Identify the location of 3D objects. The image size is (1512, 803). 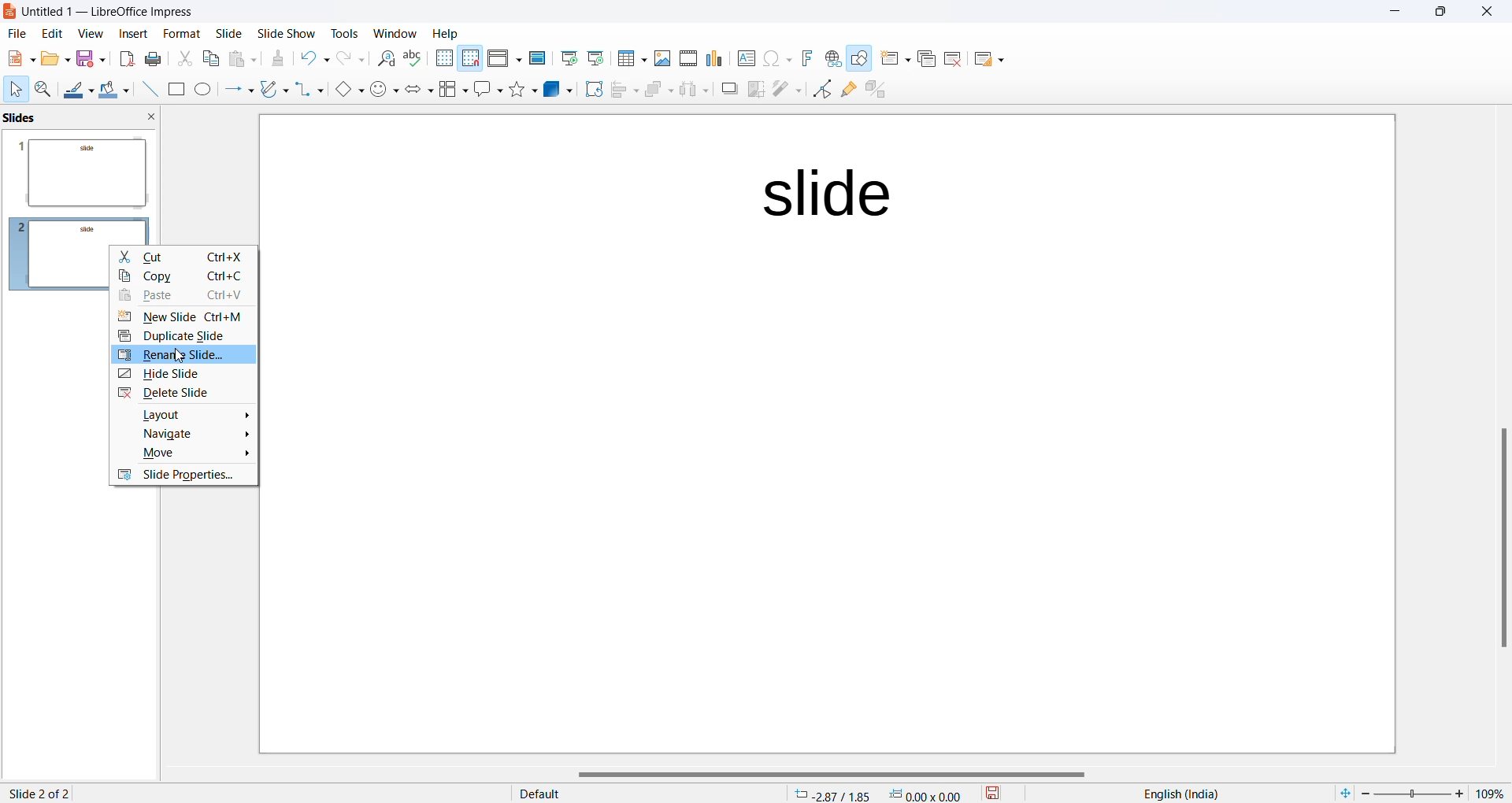
(556, 91).